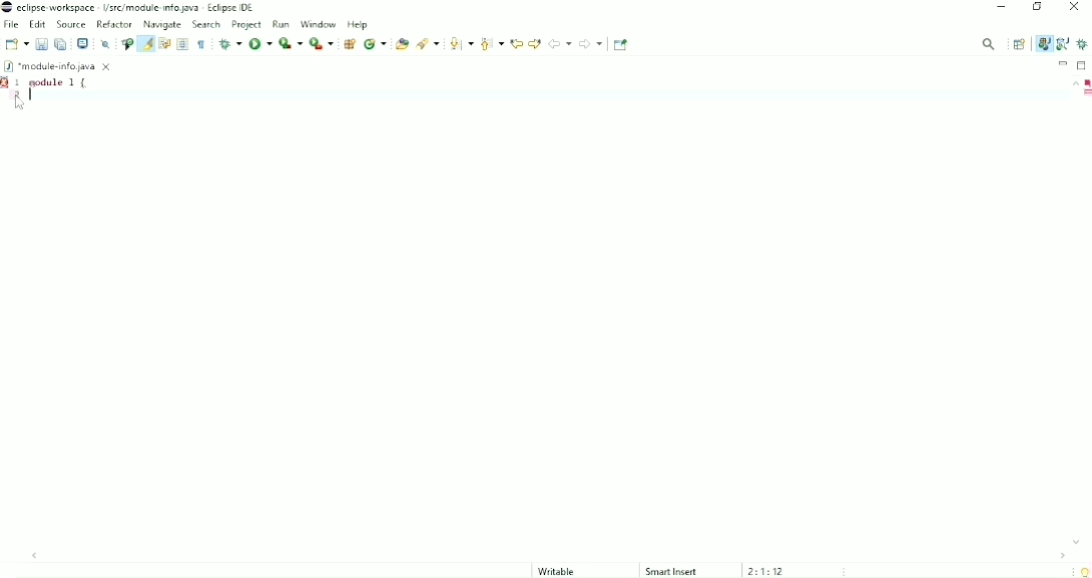 The image size is (1092, 578). I want to click on Coverage, so click(290, 43).